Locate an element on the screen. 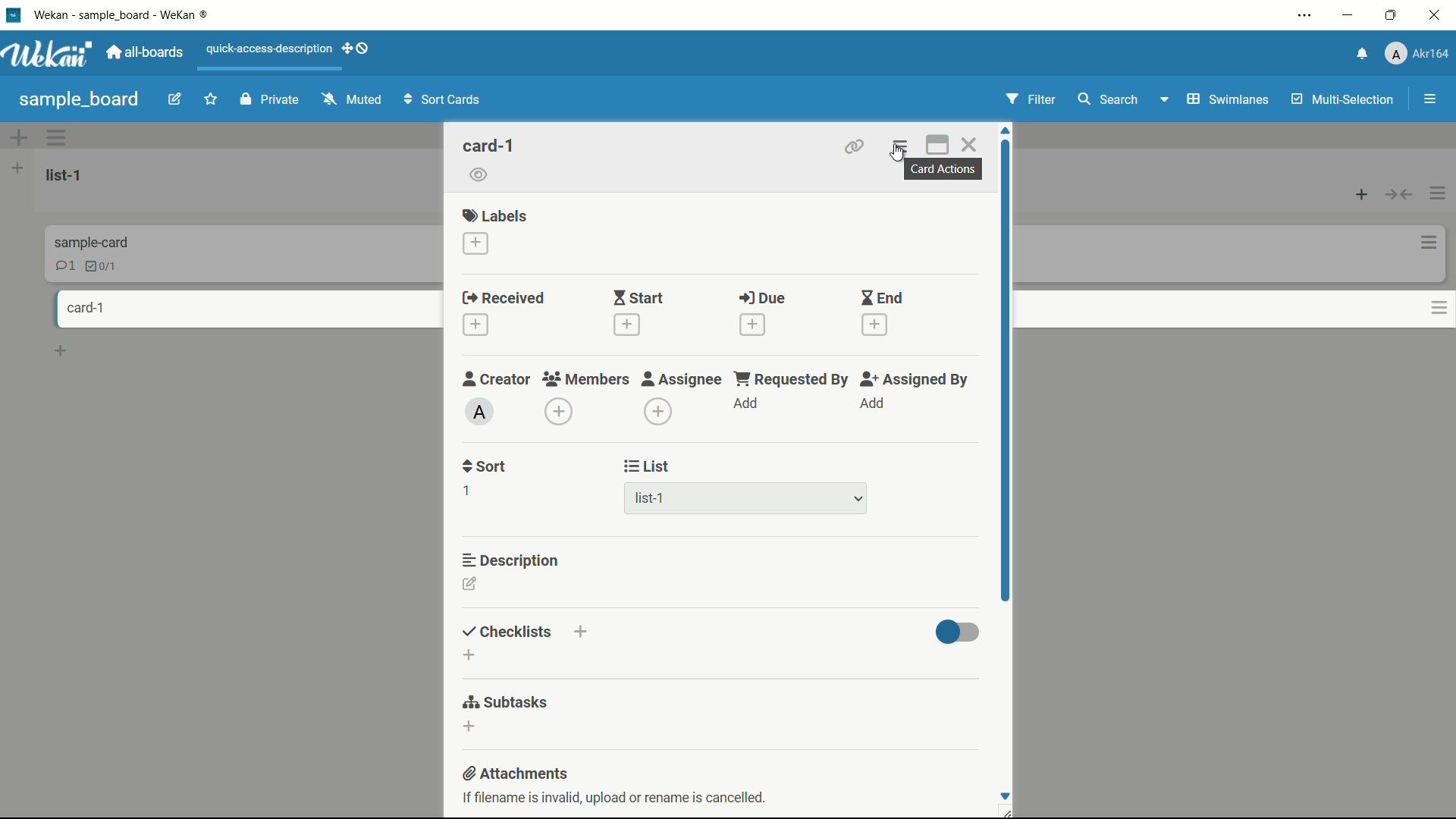 Image resolution: width=1456 pixels, height=819 pixels. settings and more is located at coordinates (1302, 16).